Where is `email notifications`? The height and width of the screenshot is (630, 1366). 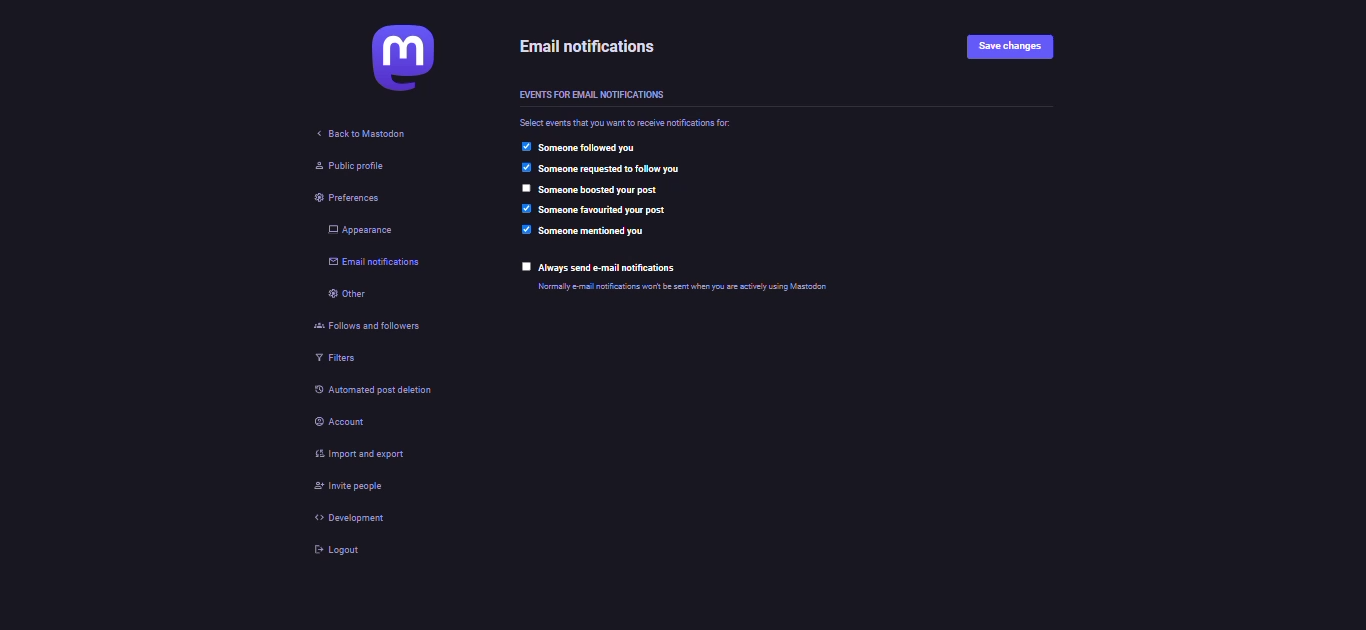 email notifications is located at coordinates (364, 264).